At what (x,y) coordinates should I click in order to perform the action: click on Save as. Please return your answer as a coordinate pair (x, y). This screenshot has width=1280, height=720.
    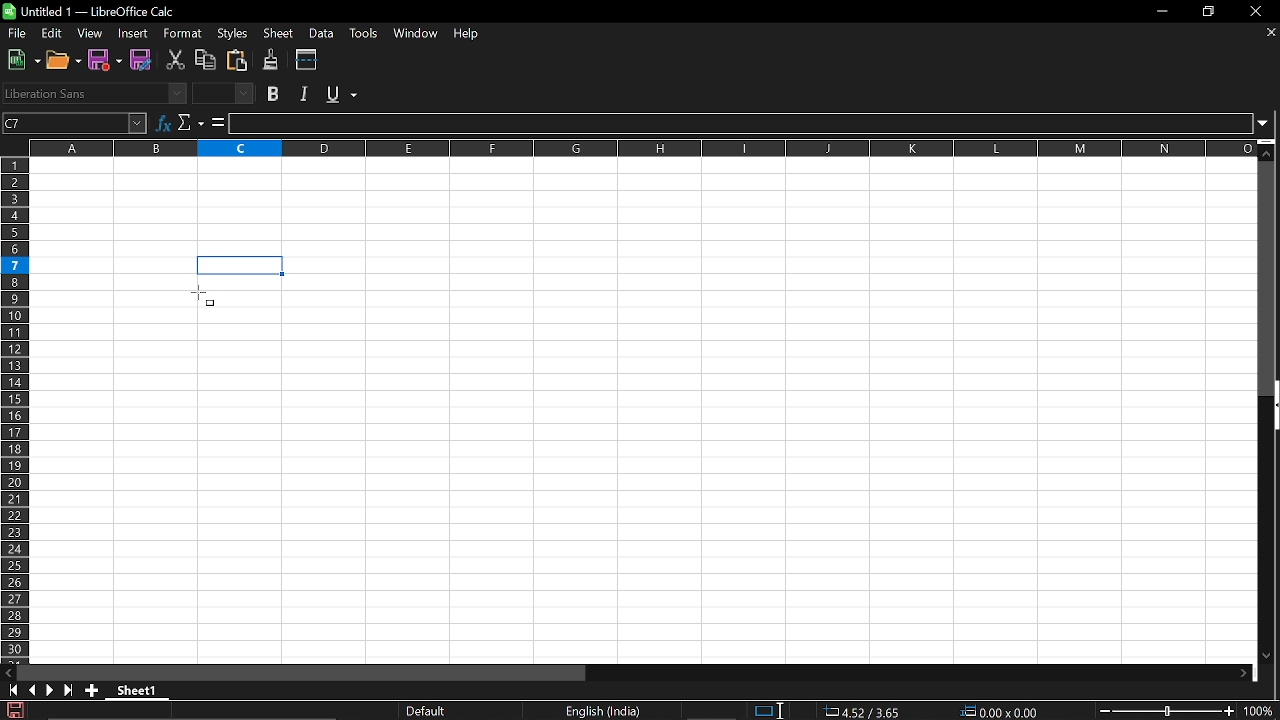
    Looking at the image, I should click on (142, 61).